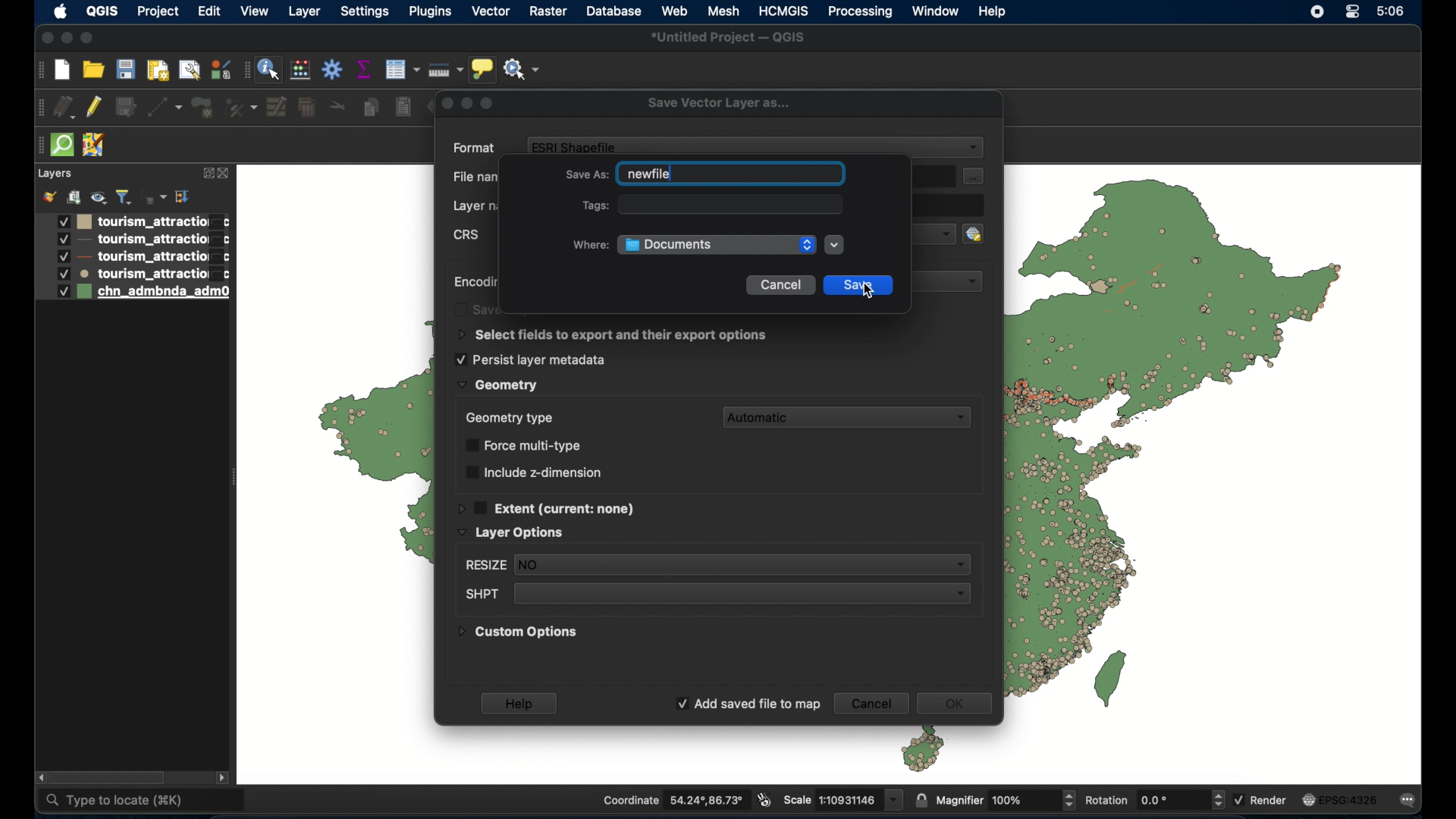  What do you see at coordinates (974, 176) in the screenshot?
I see `file options` at bounding box center [974, 176].